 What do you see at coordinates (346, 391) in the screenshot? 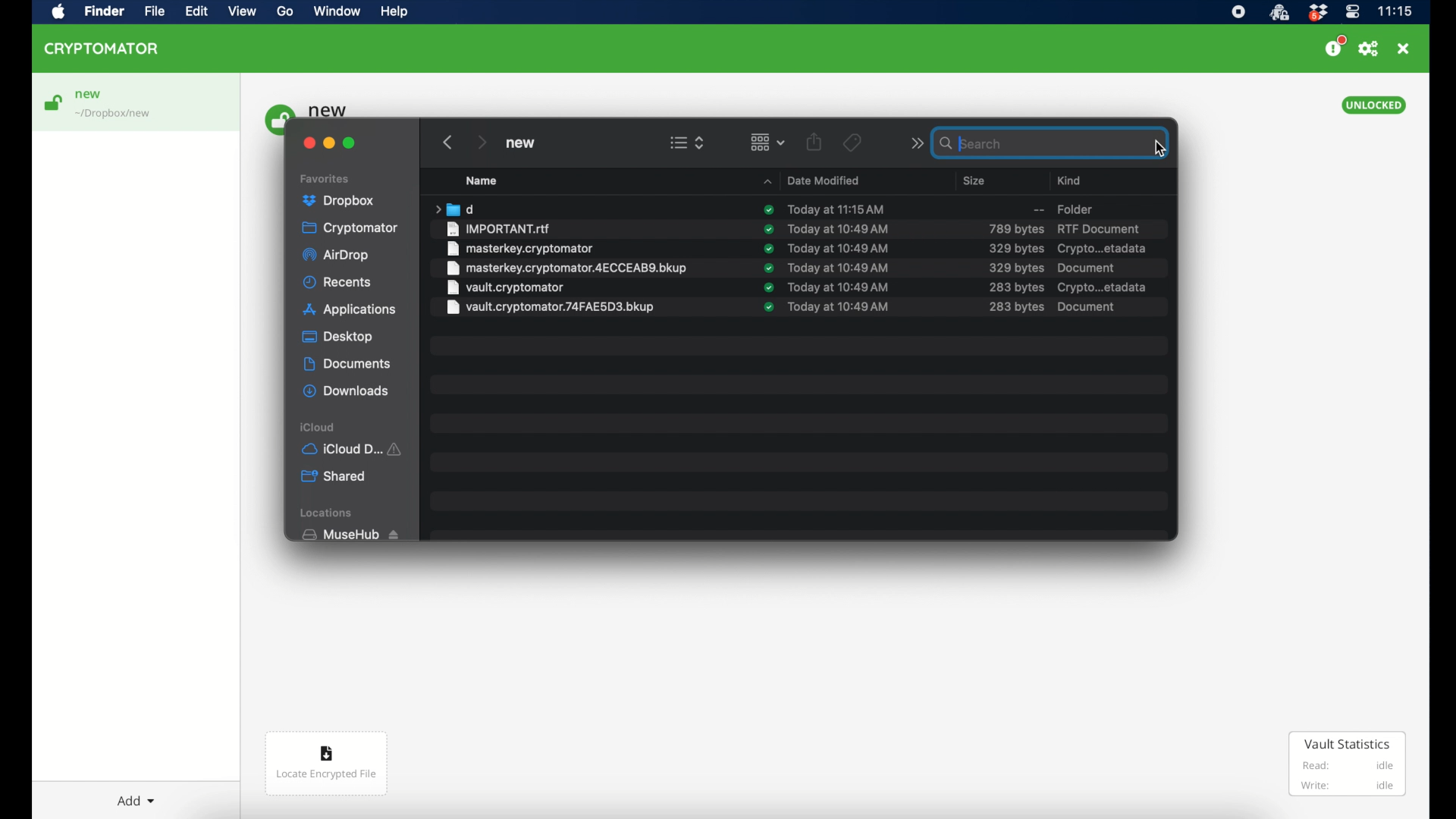
I see `downloads` at bounding box center [346, 391].